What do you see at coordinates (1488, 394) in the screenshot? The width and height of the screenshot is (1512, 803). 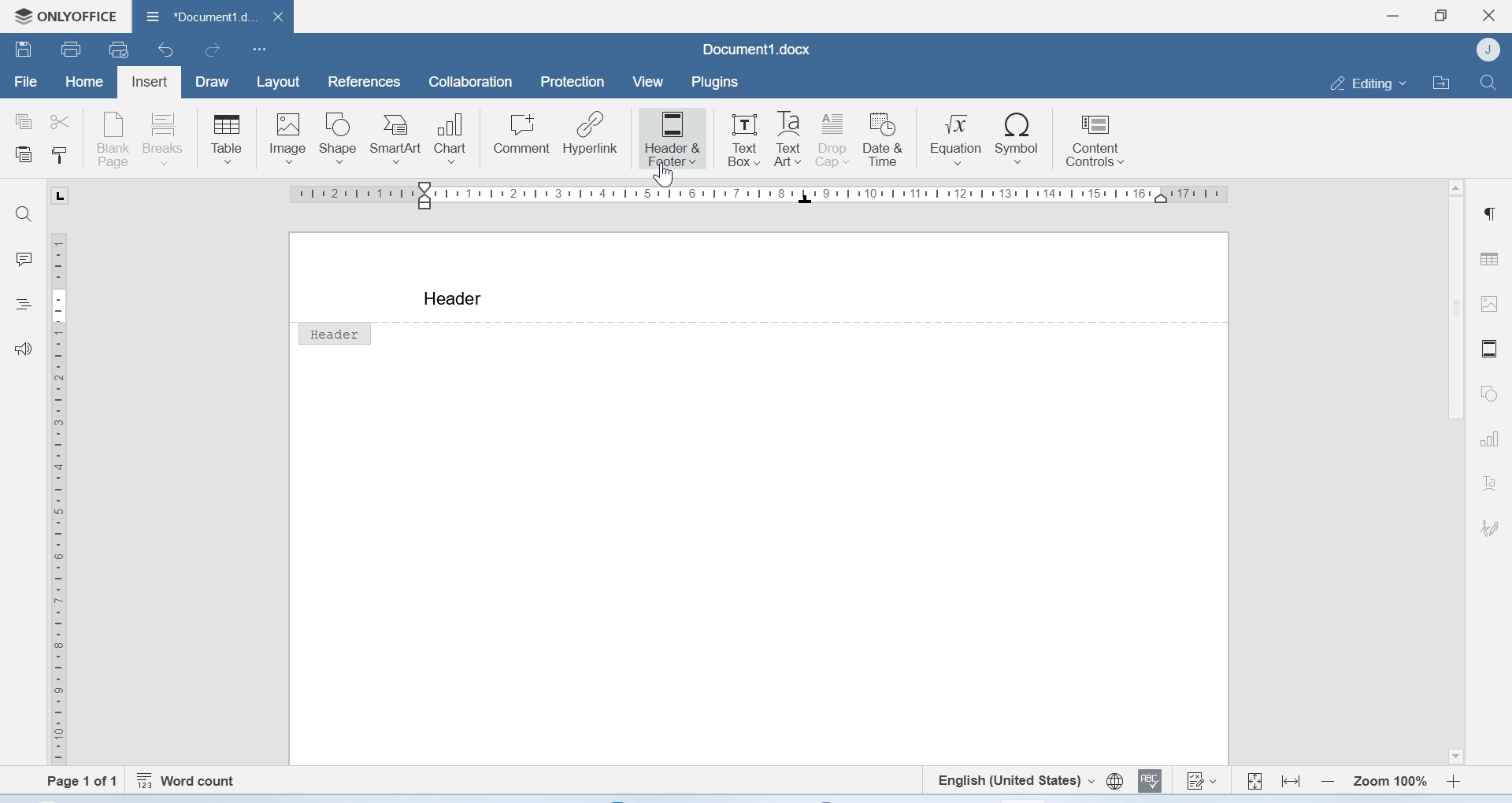 I see `Shapes` at bounding box center [1488, 394].